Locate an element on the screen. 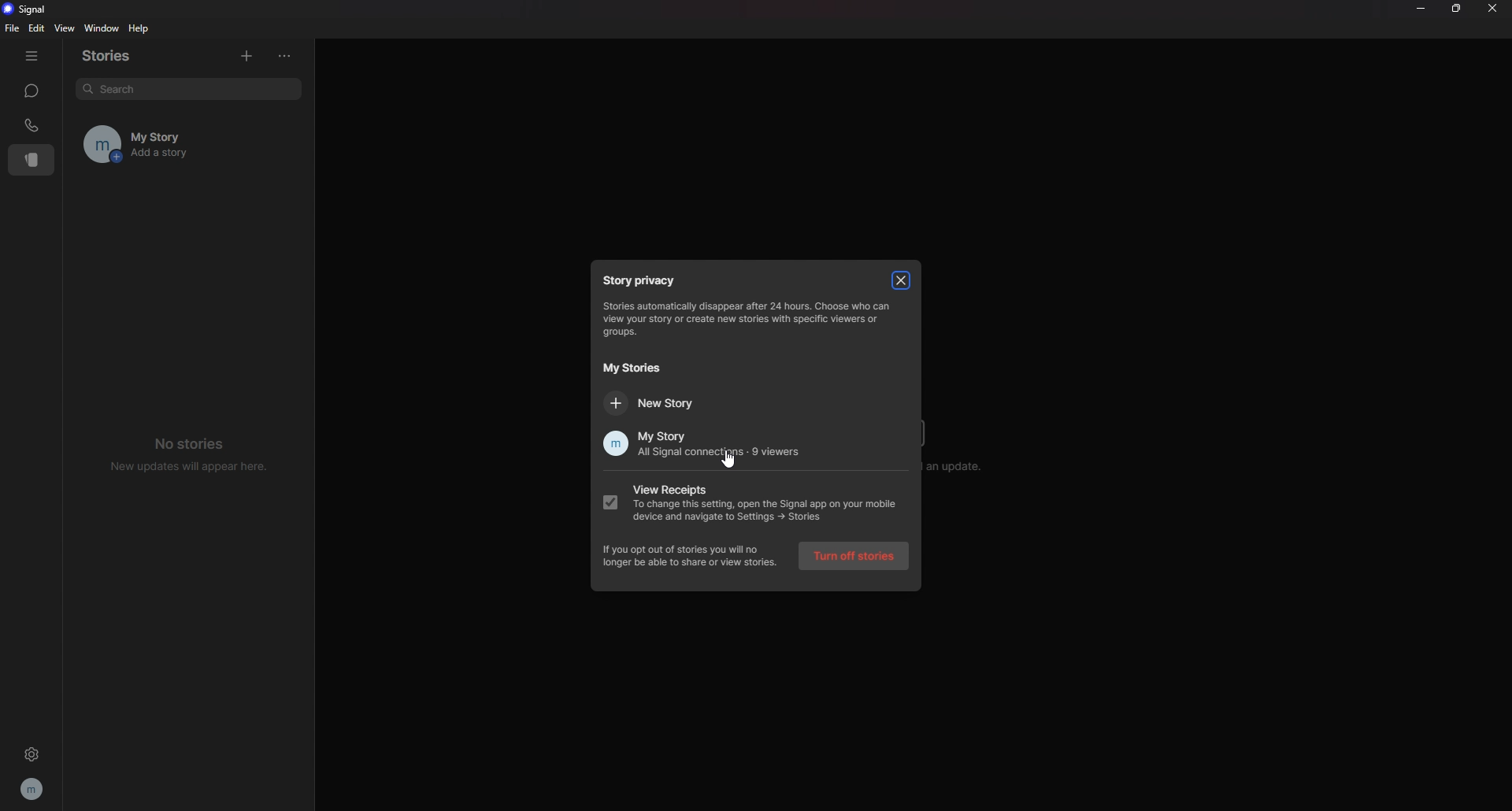 This screenshot has width=1512, height=811. window is located at coordinates (104, 29).